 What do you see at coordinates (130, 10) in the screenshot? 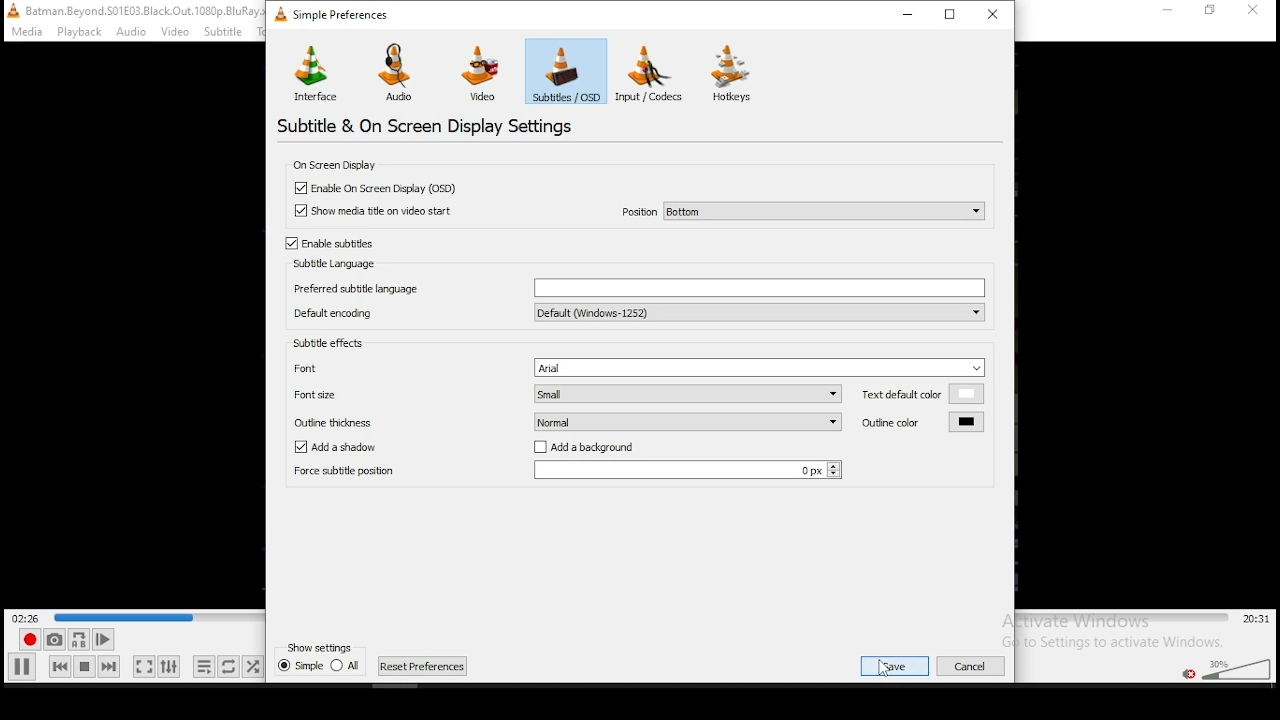
I see `` at bounding box center [130, 10].